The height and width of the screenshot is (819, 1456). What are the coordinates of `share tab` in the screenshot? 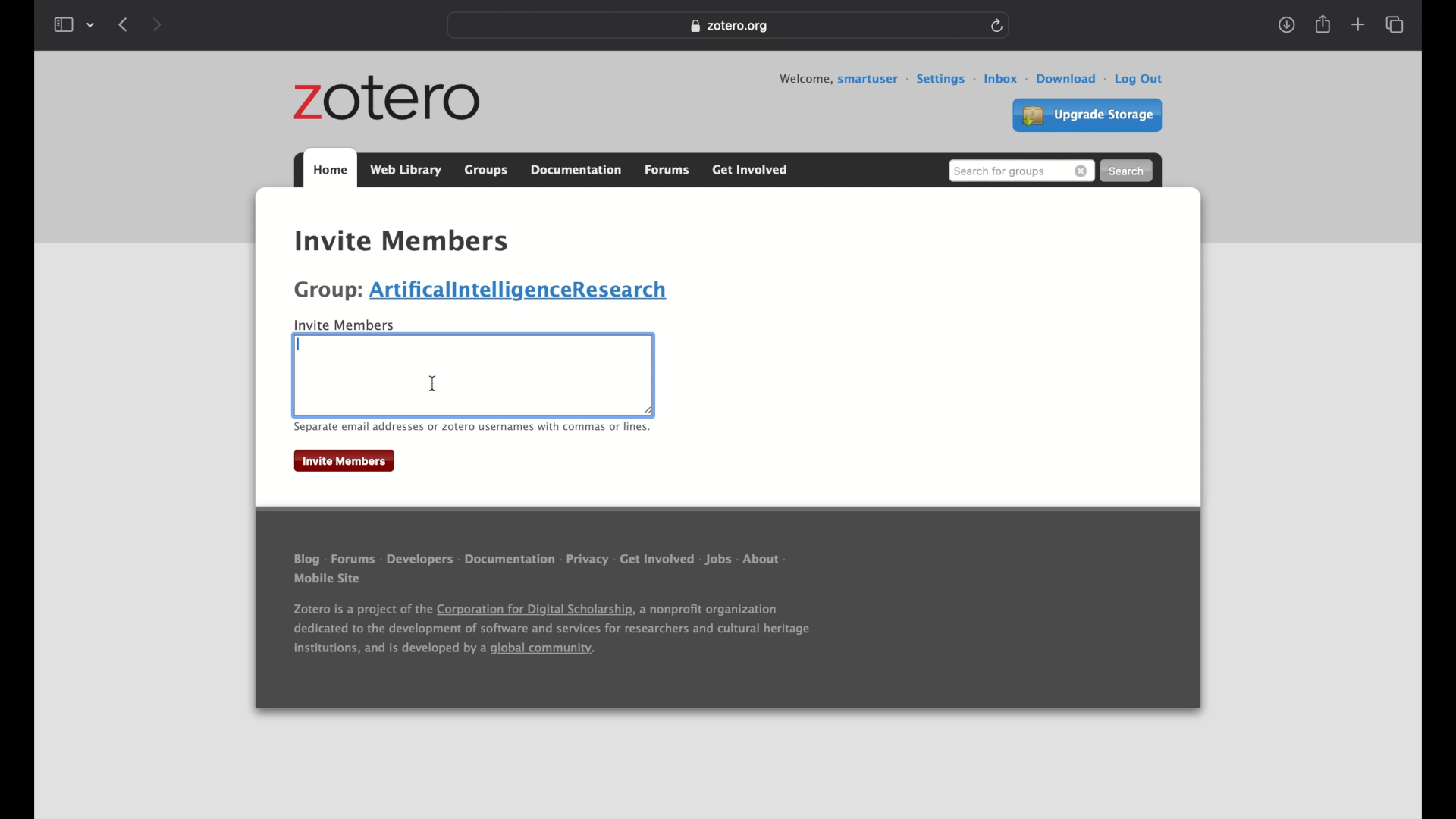 It's located at (1324, 25).